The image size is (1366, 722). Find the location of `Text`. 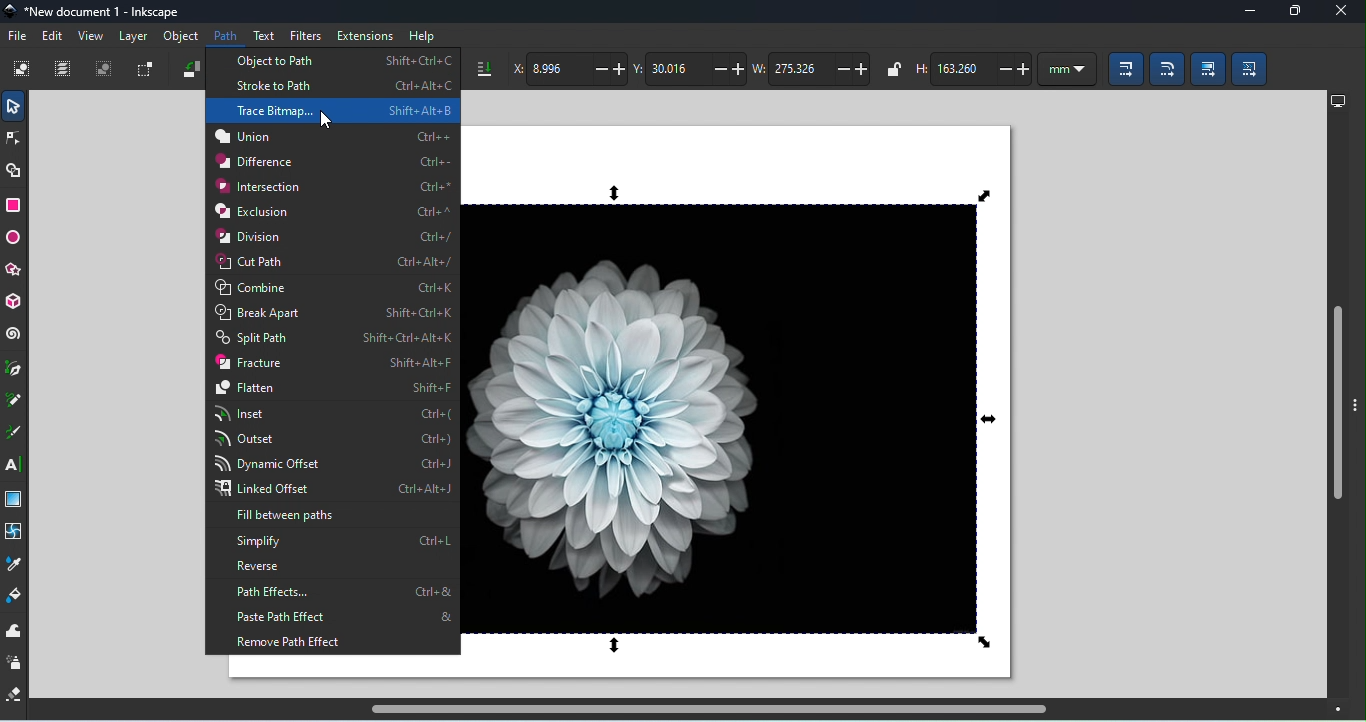

Text is located at coordinates (264, 34).